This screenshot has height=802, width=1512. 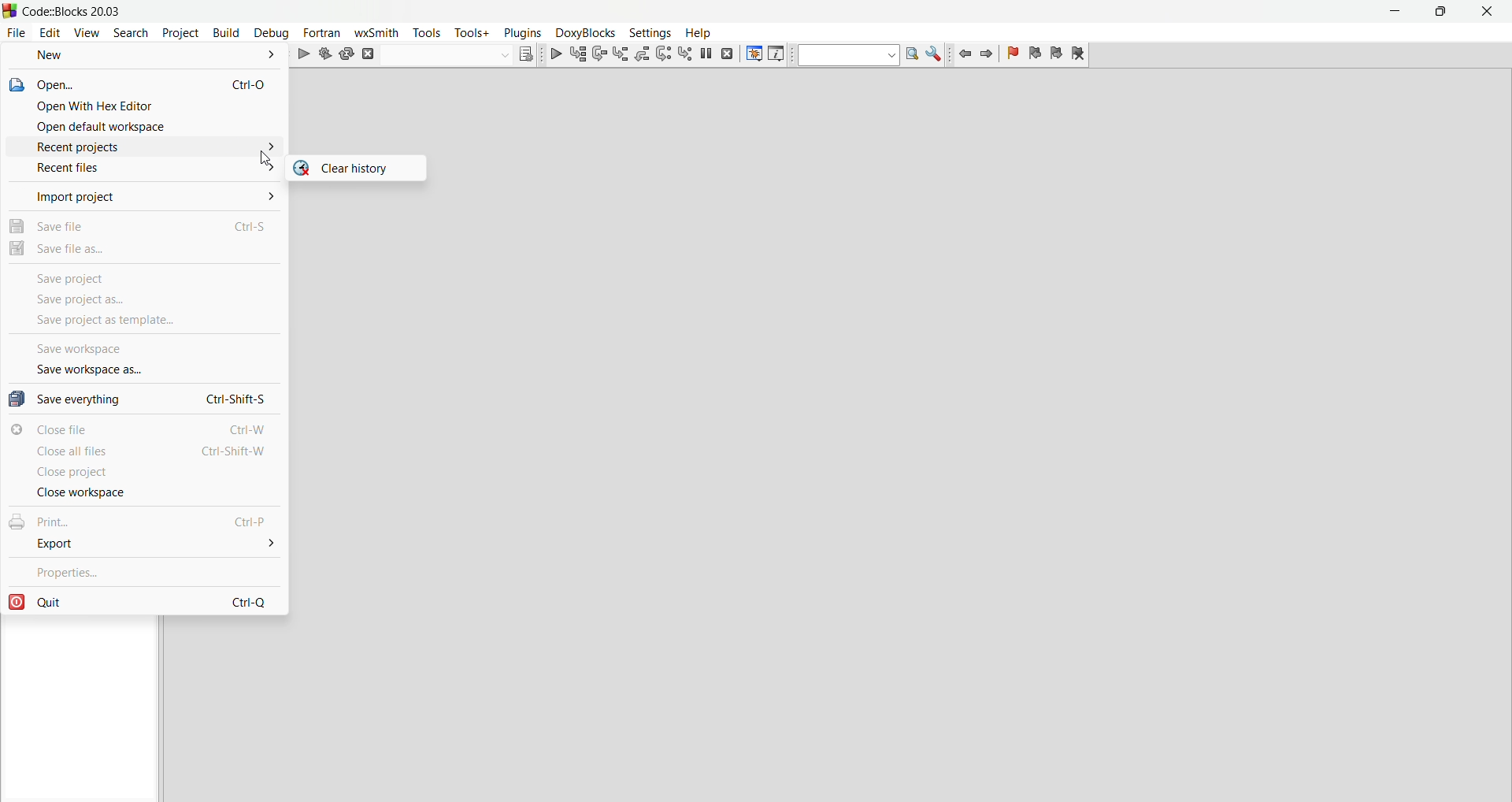 What do you see at coordinates (935, 56) in the screenshot?
I see `show options window` at bounding box center [935, 56].